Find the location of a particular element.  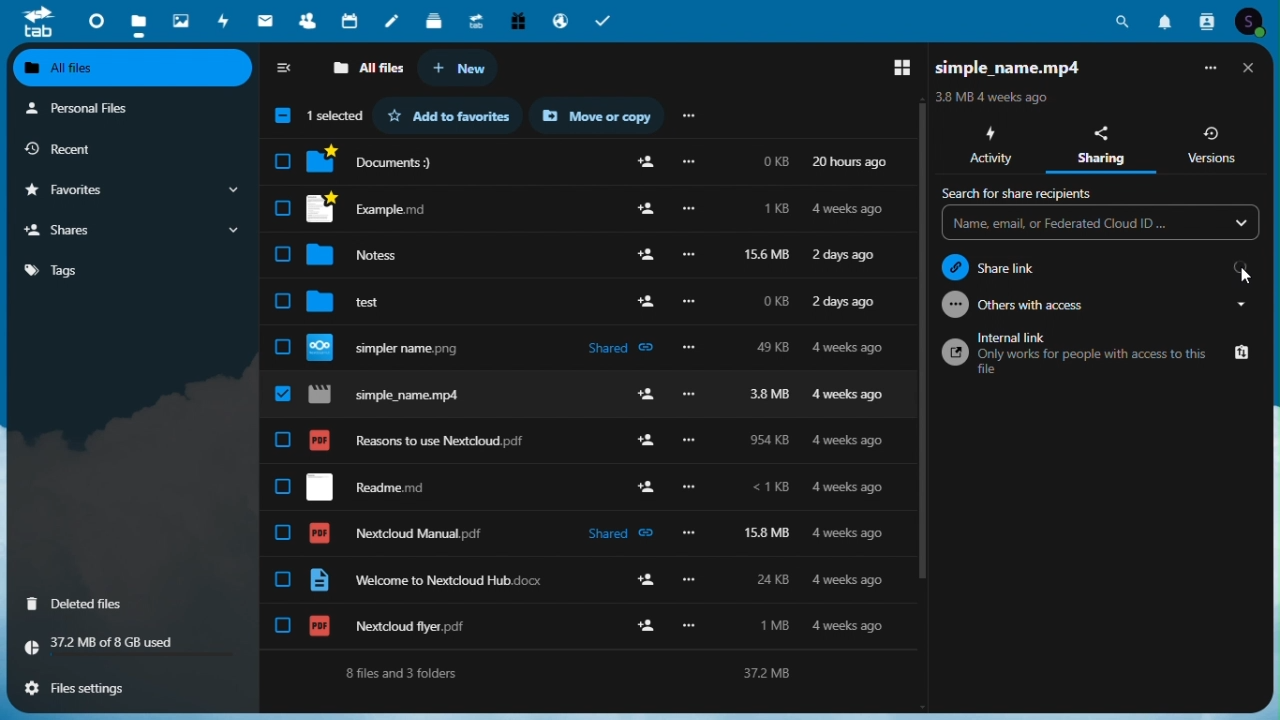

Switch to gridview is located at coordinates (1246, 68).